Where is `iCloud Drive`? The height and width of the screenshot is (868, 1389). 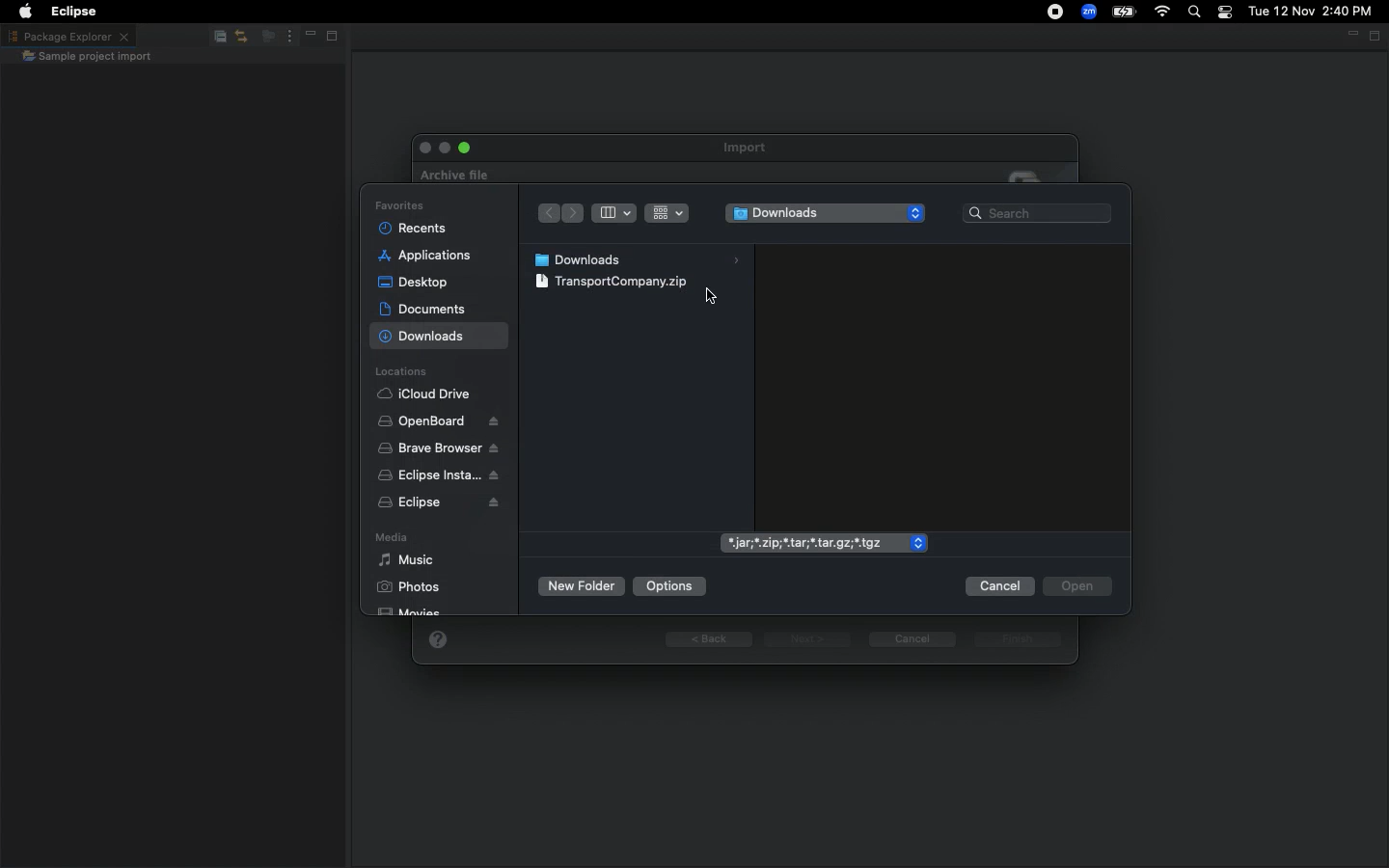
iCloud Drive is located at coordinates (428, 395).